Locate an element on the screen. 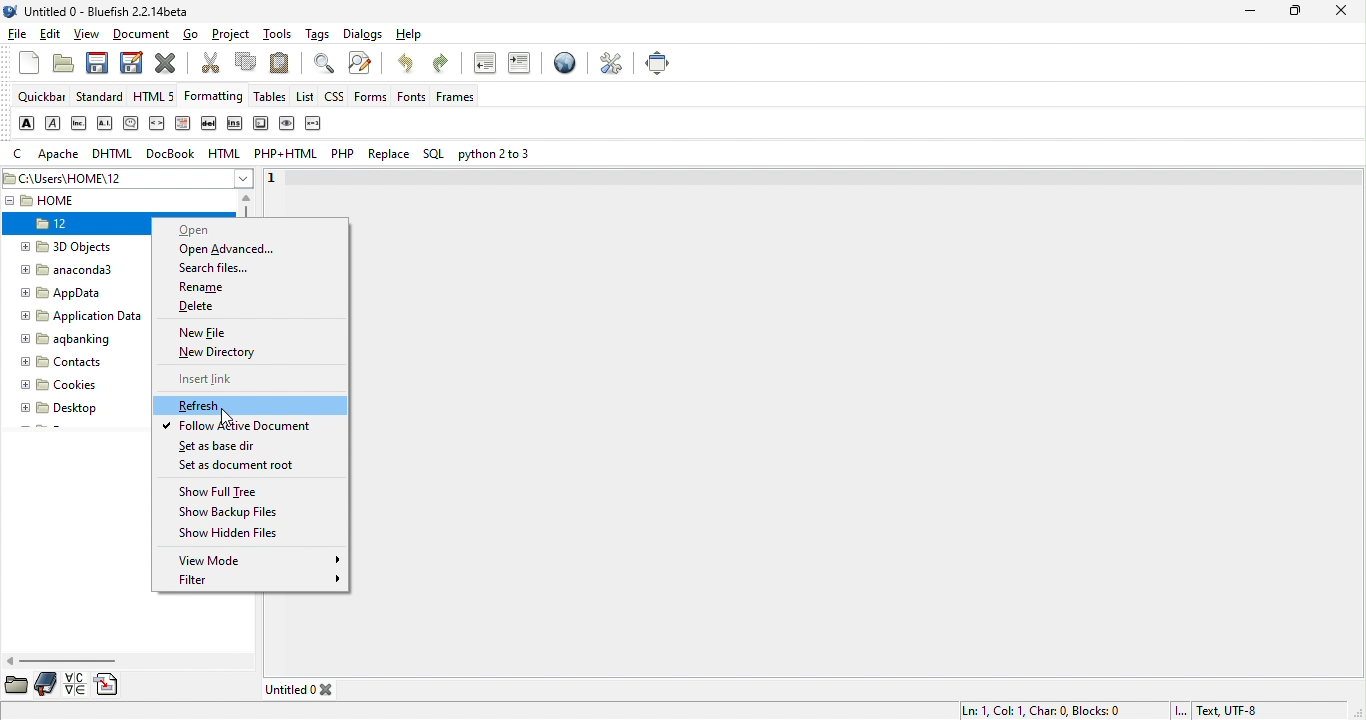 The width and height of the screenshot is (1366, 720). code is located at coordinates (157, 124).